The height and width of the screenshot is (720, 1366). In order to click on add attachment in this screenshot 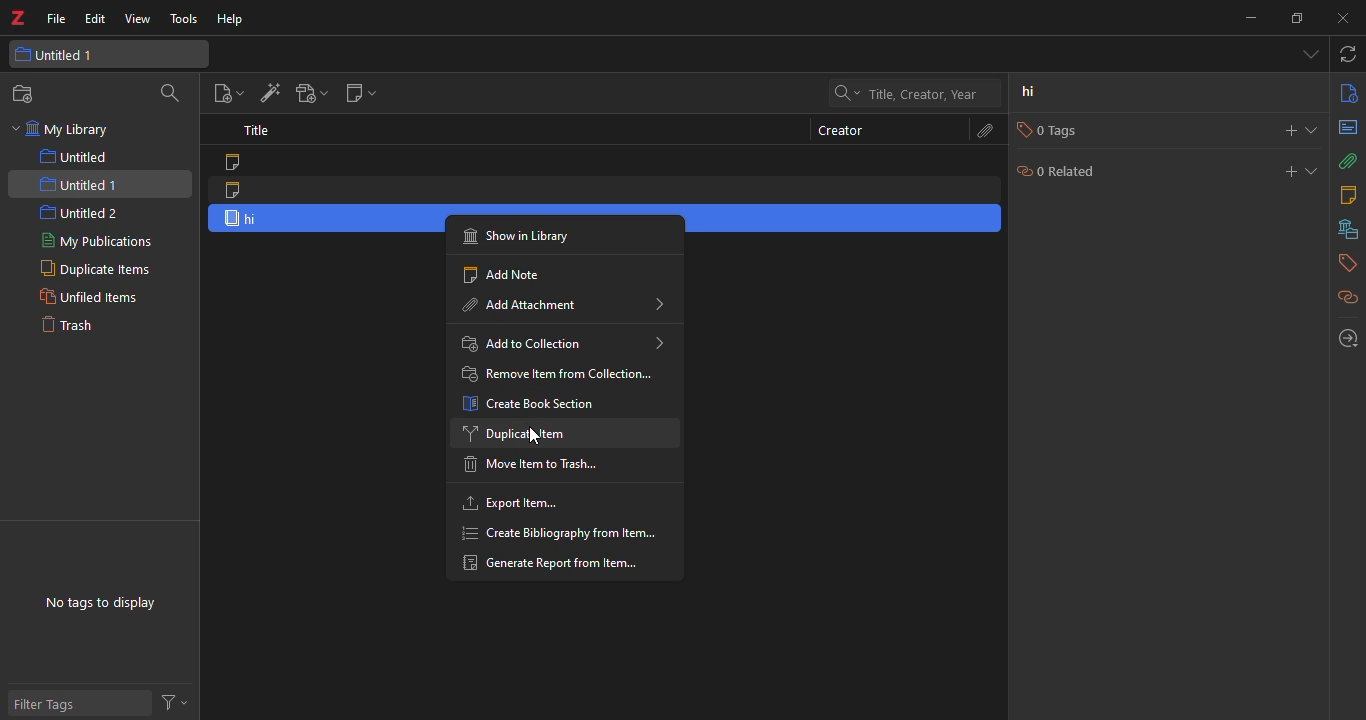, I will do `click(564, 308)`.